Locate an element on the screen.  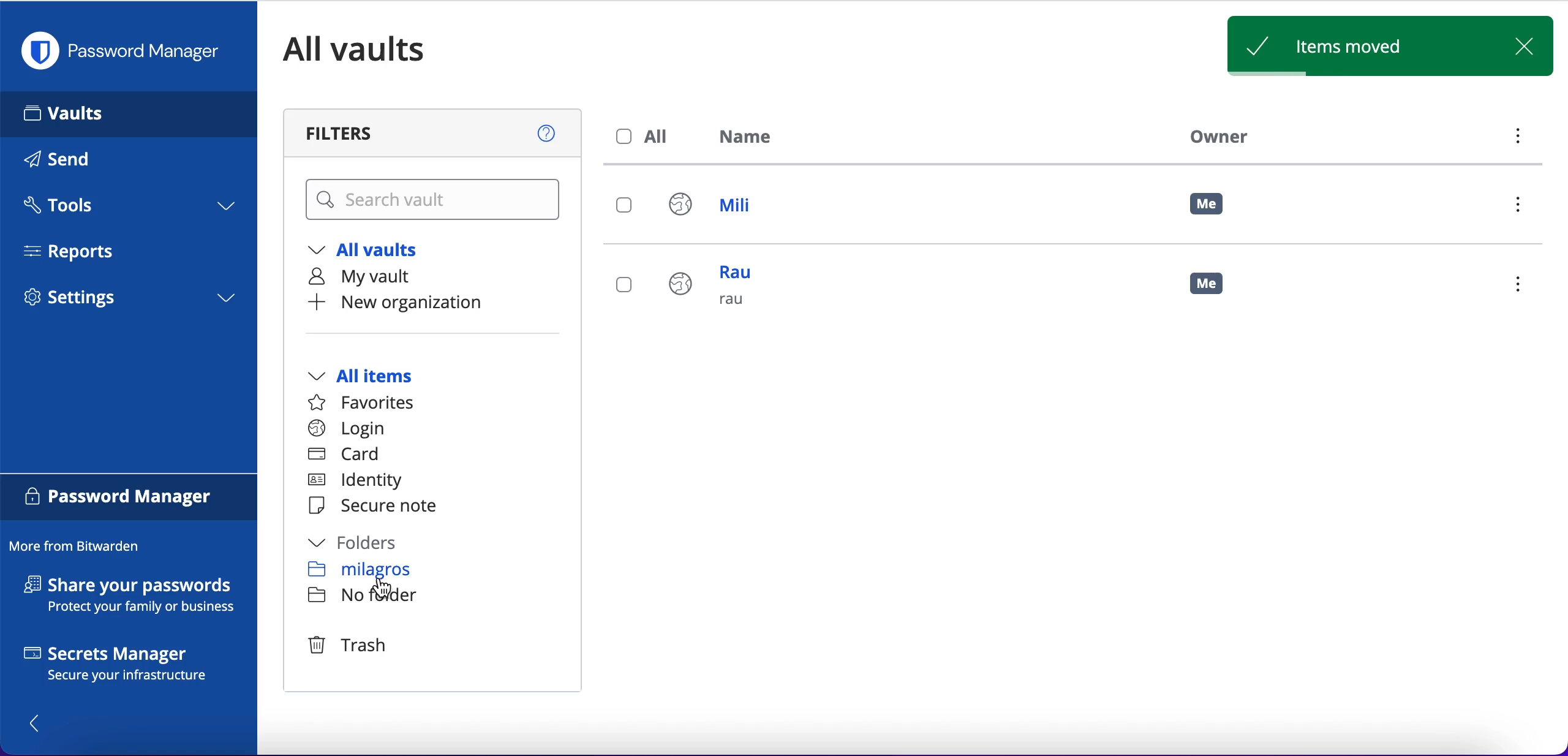
secrets manager secure your infrastructure is located at coordinates (129, 667).